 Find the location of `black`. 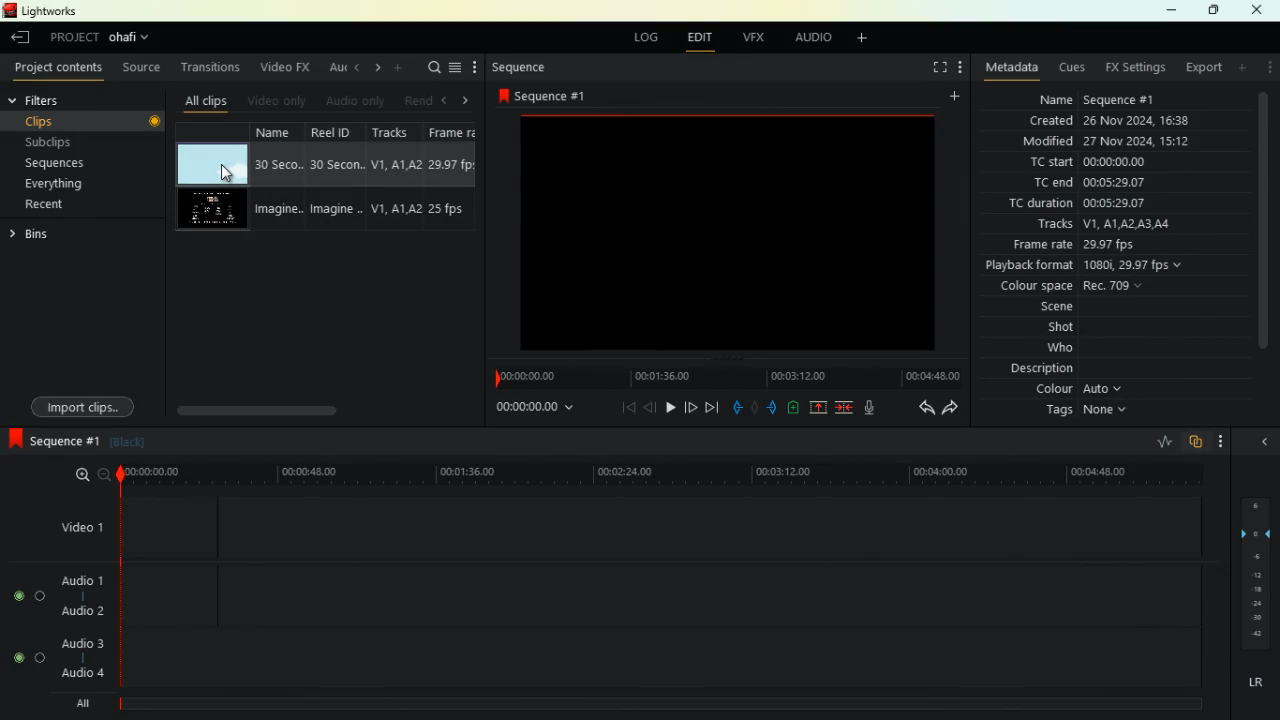

black is located at coordinates (126, 442).